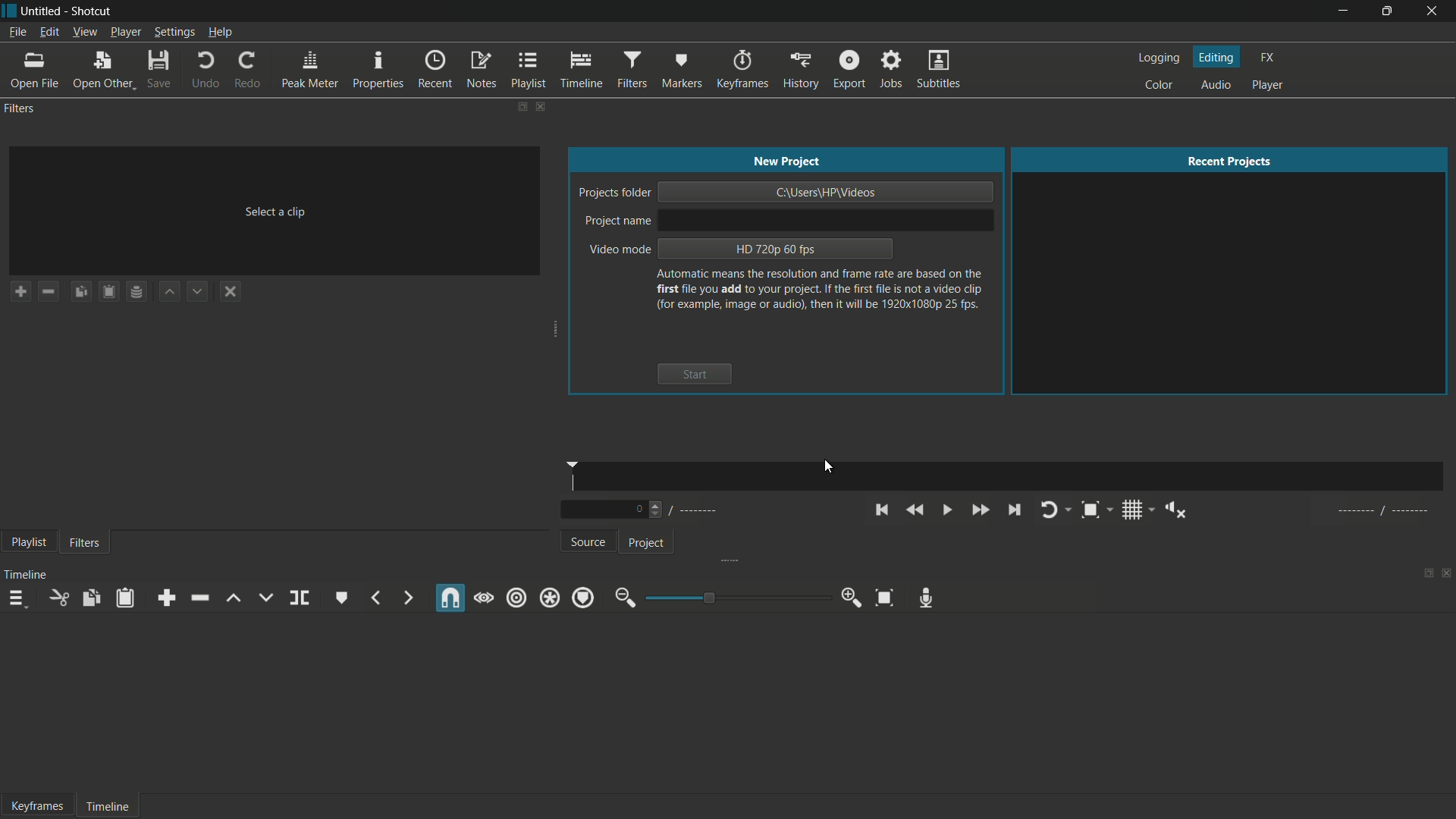 This screenshot has height=819, width=1456. I want to click on quickly play forward, so click(980, 510).